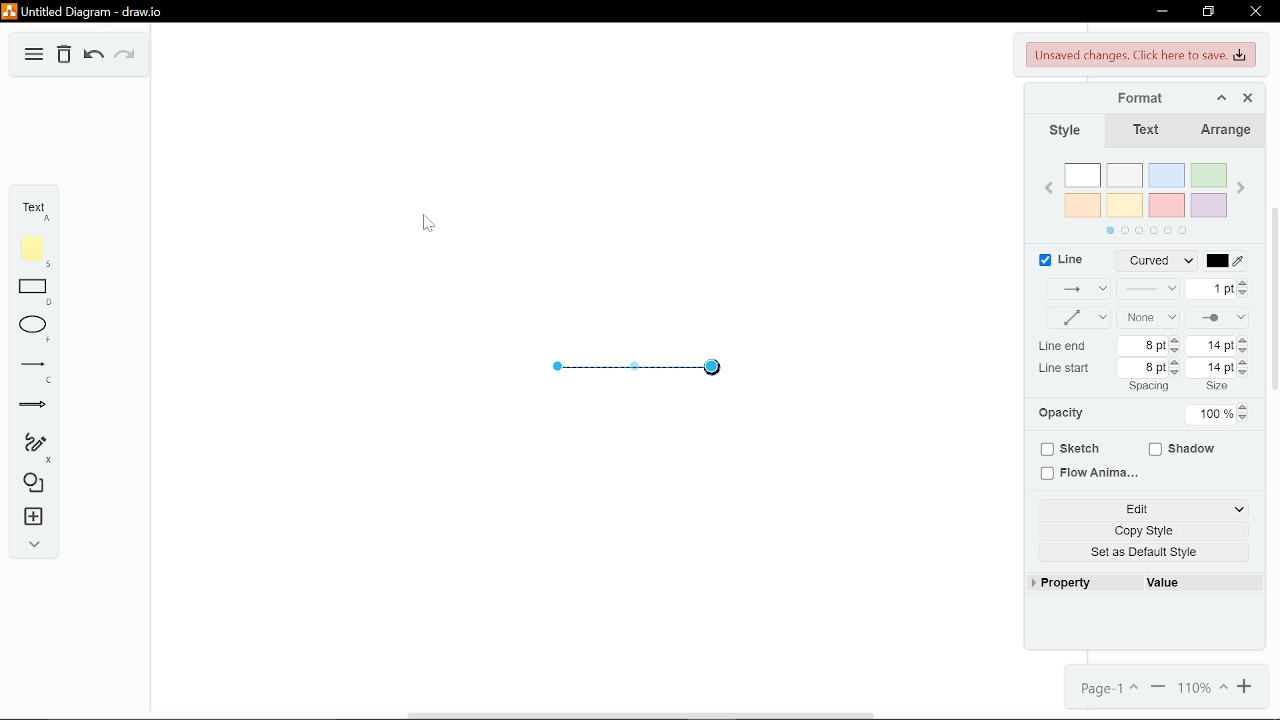 The height and width of the screenshot is (720, 1280). Describe the element at coordinates (1069, 449) in the screenshot. I see `Sketch` at that location.